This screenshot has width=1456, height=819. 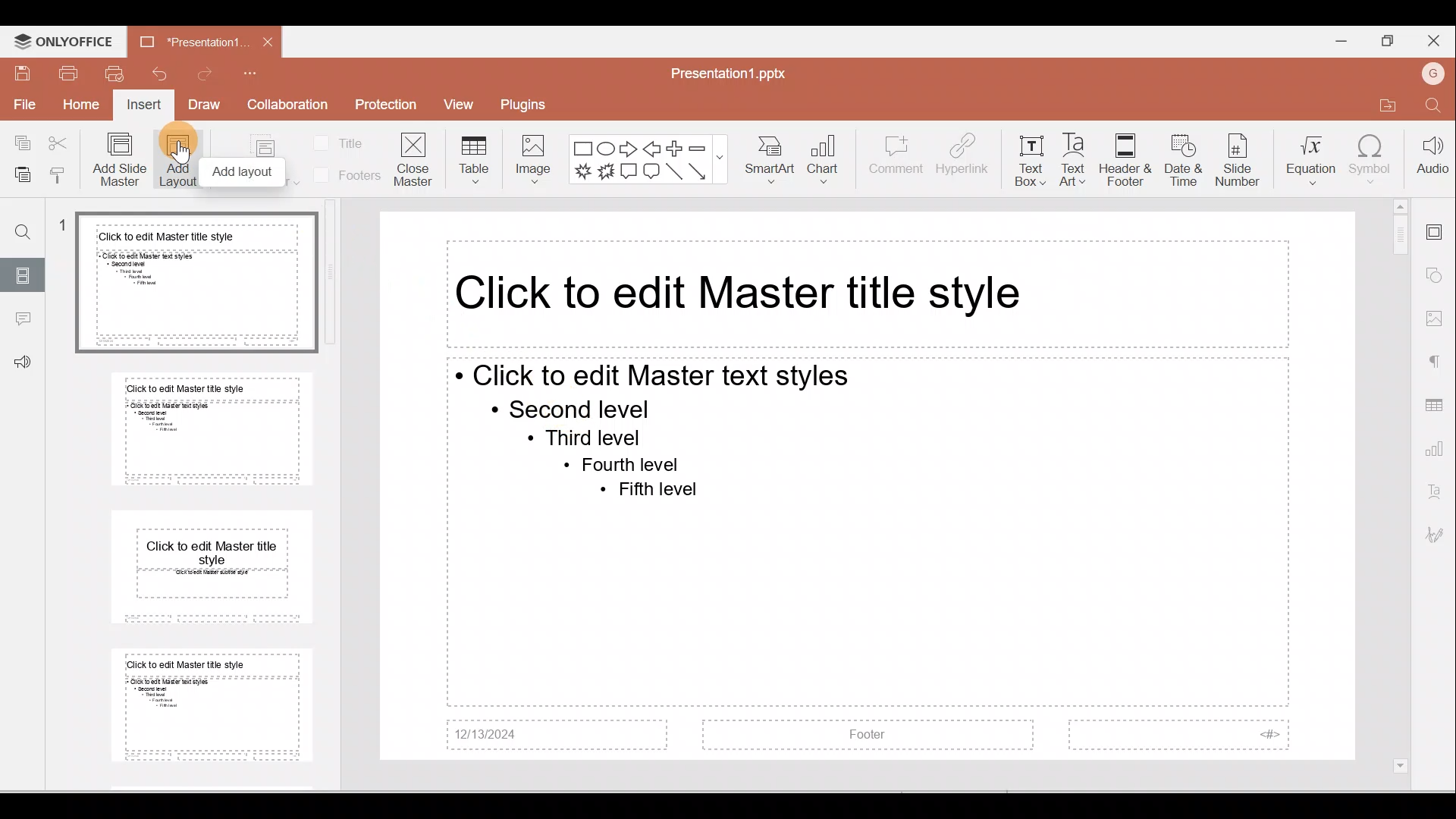 I want to click on Slide number, so click(x=1238, y=162).